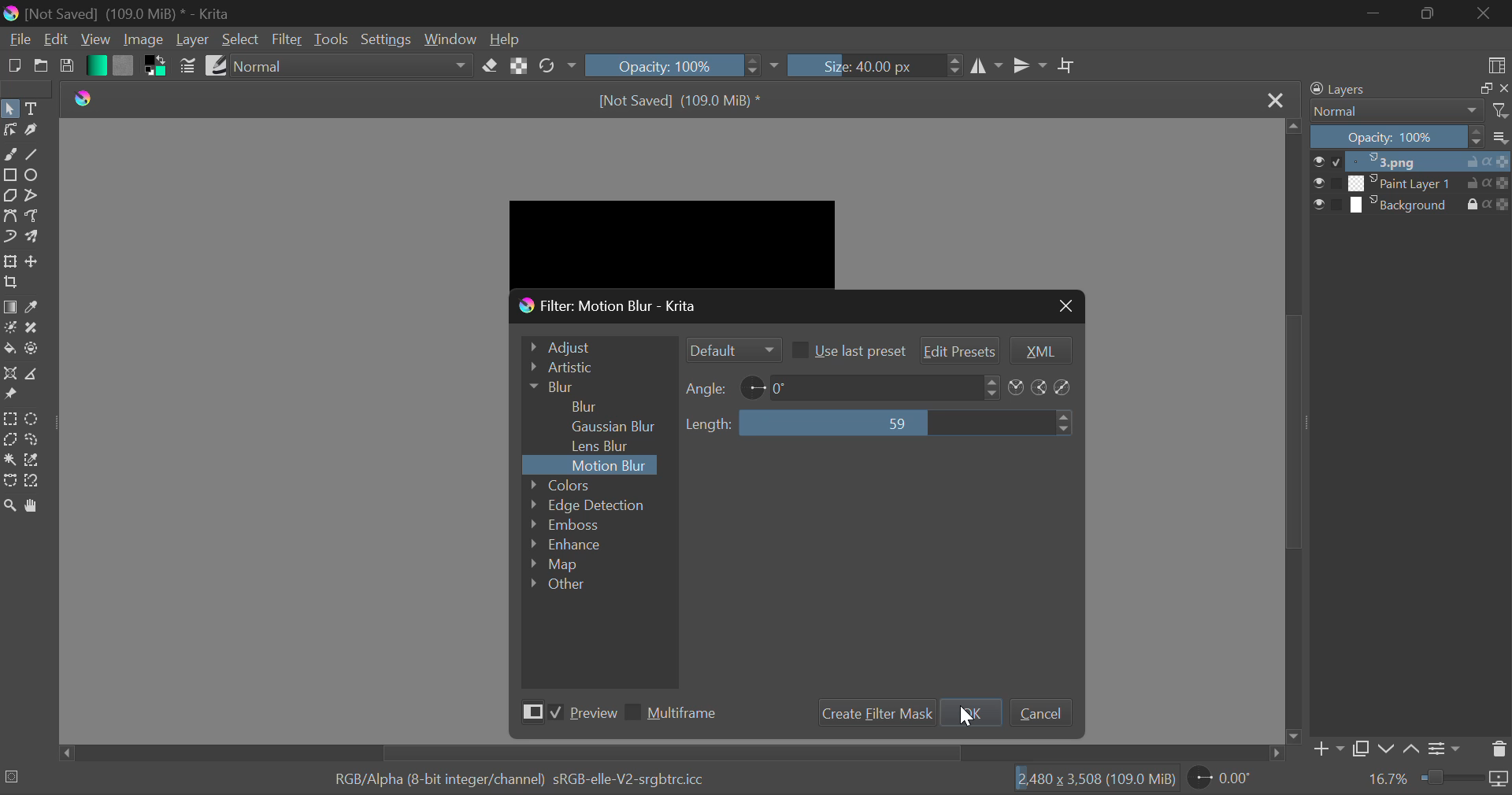  What do you see at coordinates (33, 351) in the screenshot?
I see `Enclose and Fill` at bounding box center [33, 351].